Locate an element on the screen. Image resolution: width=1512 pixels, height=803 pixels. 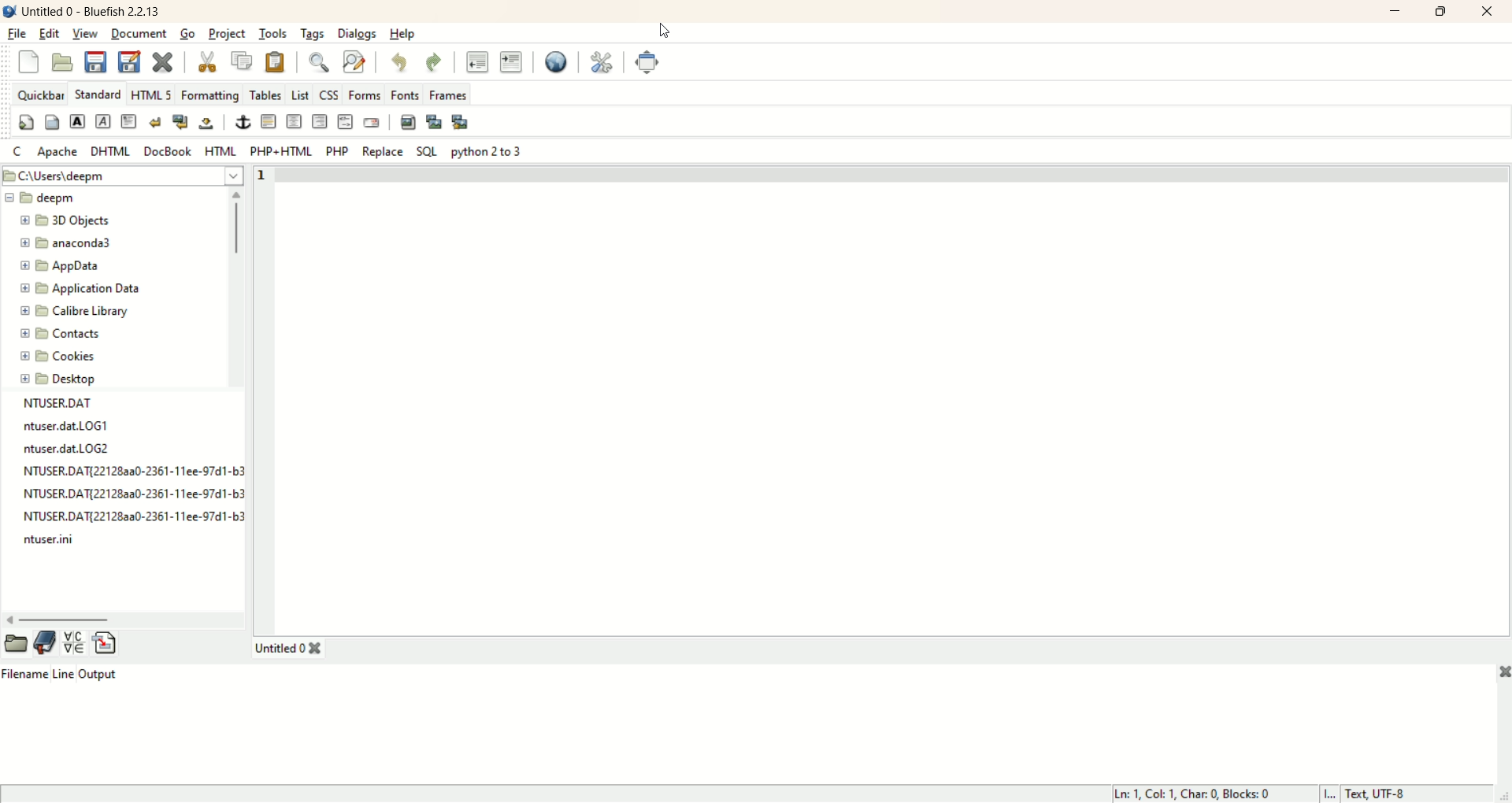
save current file is located at coordinates (98, 61).